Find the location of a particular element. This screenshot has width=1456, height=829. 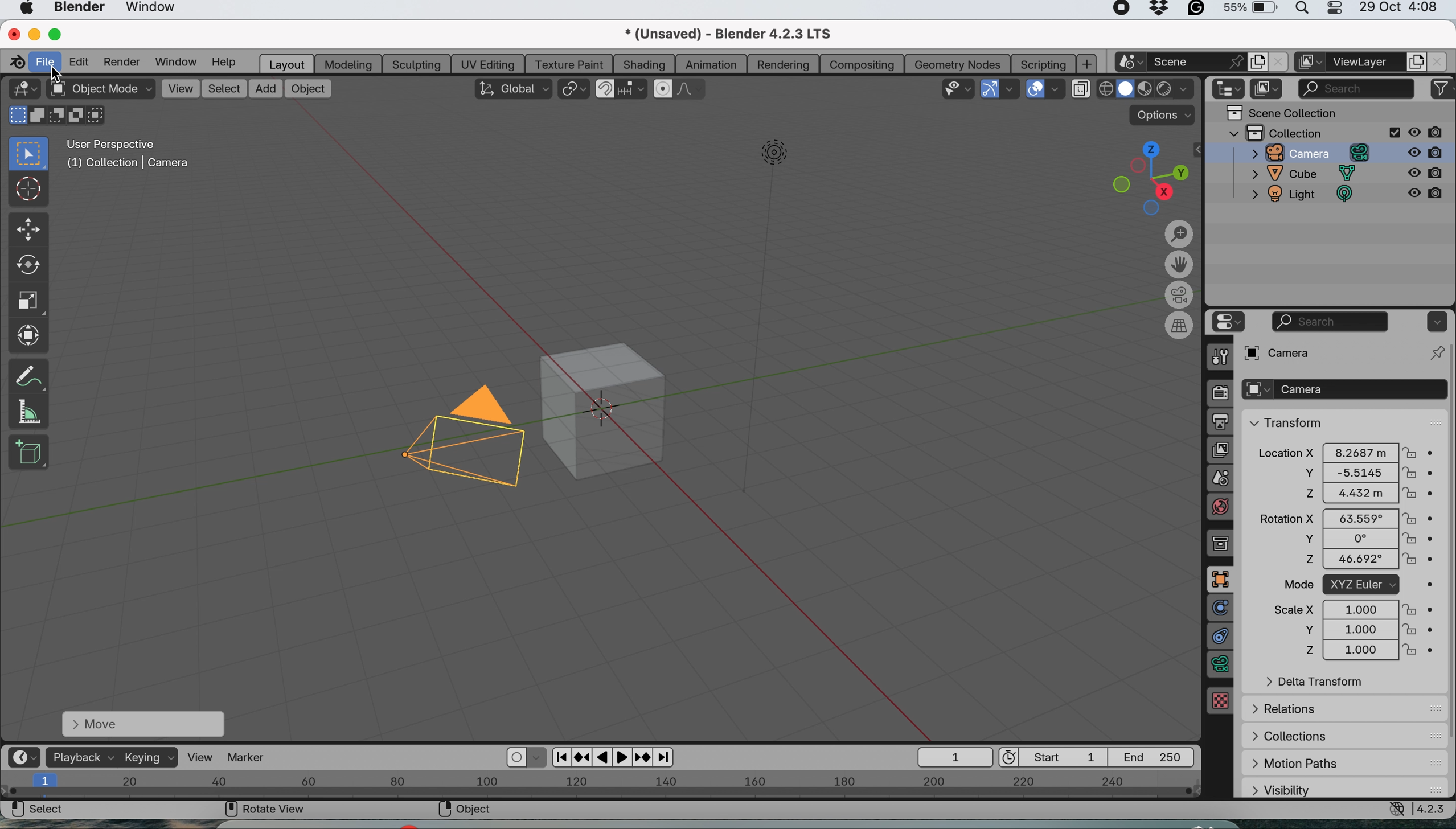

texture is located at coordinates (1222, 701).